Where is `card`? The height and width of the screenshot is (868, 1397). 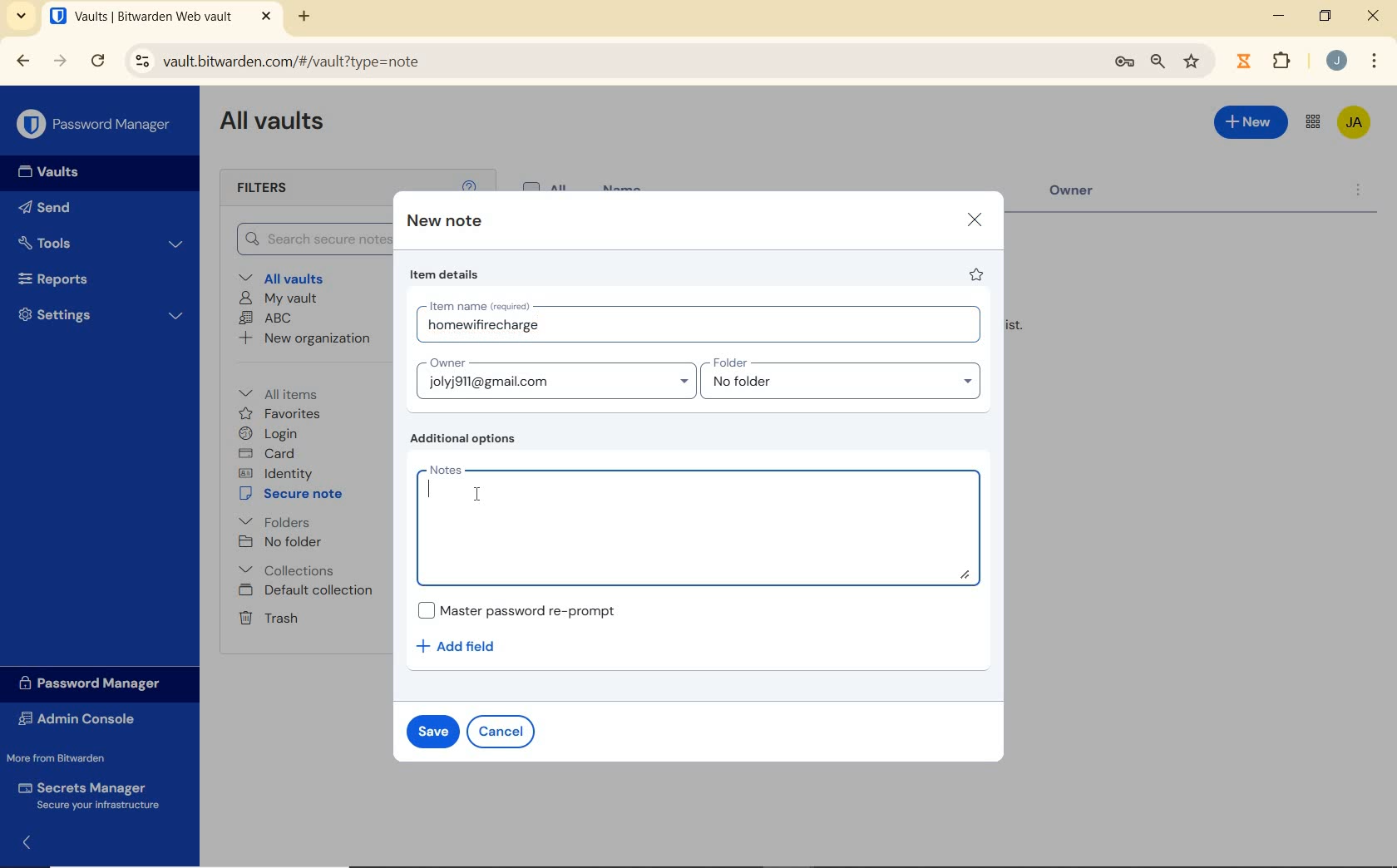
card is located at coordinates (269, 453).